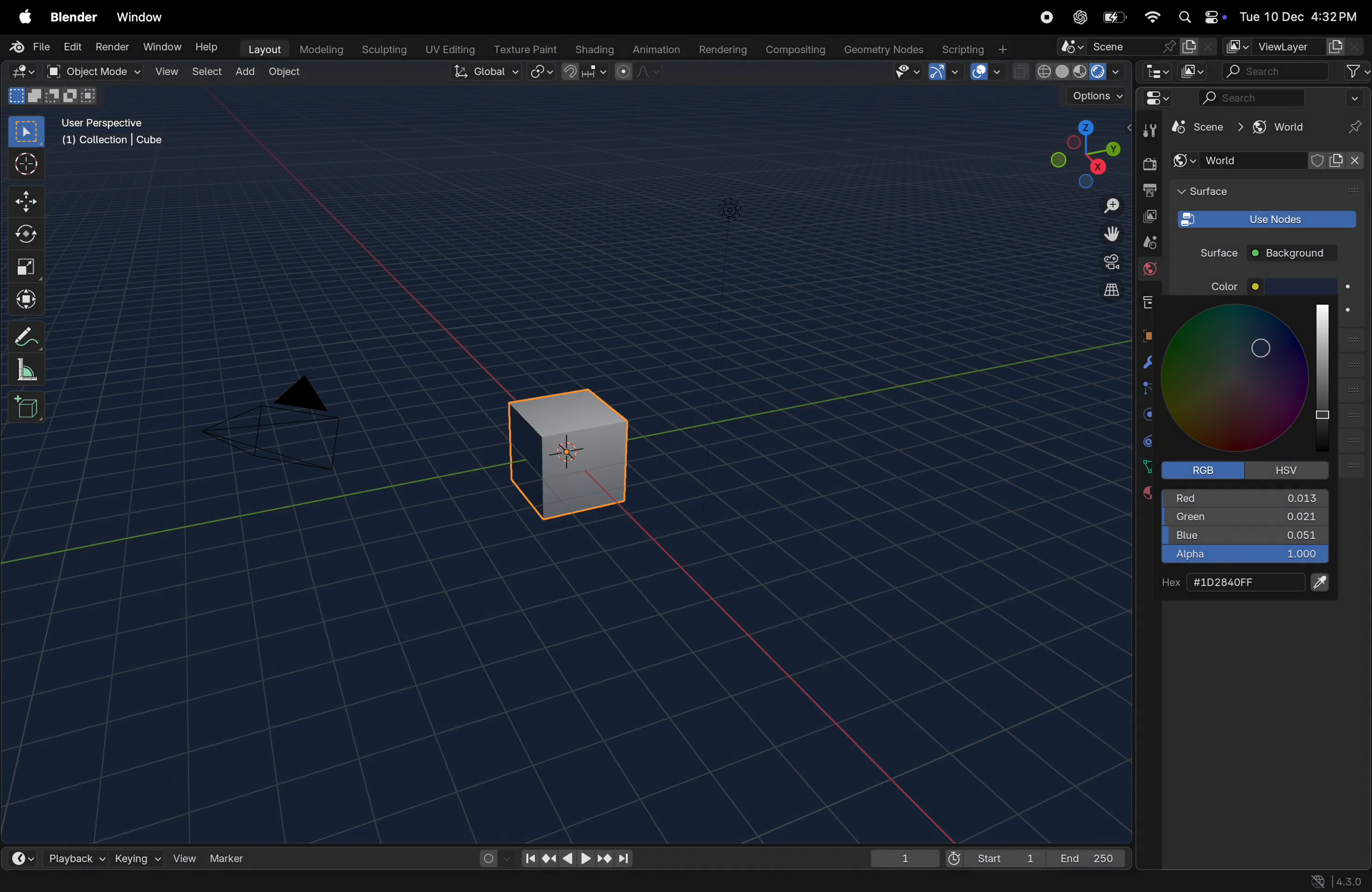  Describe the element at coordinates (1105, 205) in the screenshot. I see `zoom` at that location.